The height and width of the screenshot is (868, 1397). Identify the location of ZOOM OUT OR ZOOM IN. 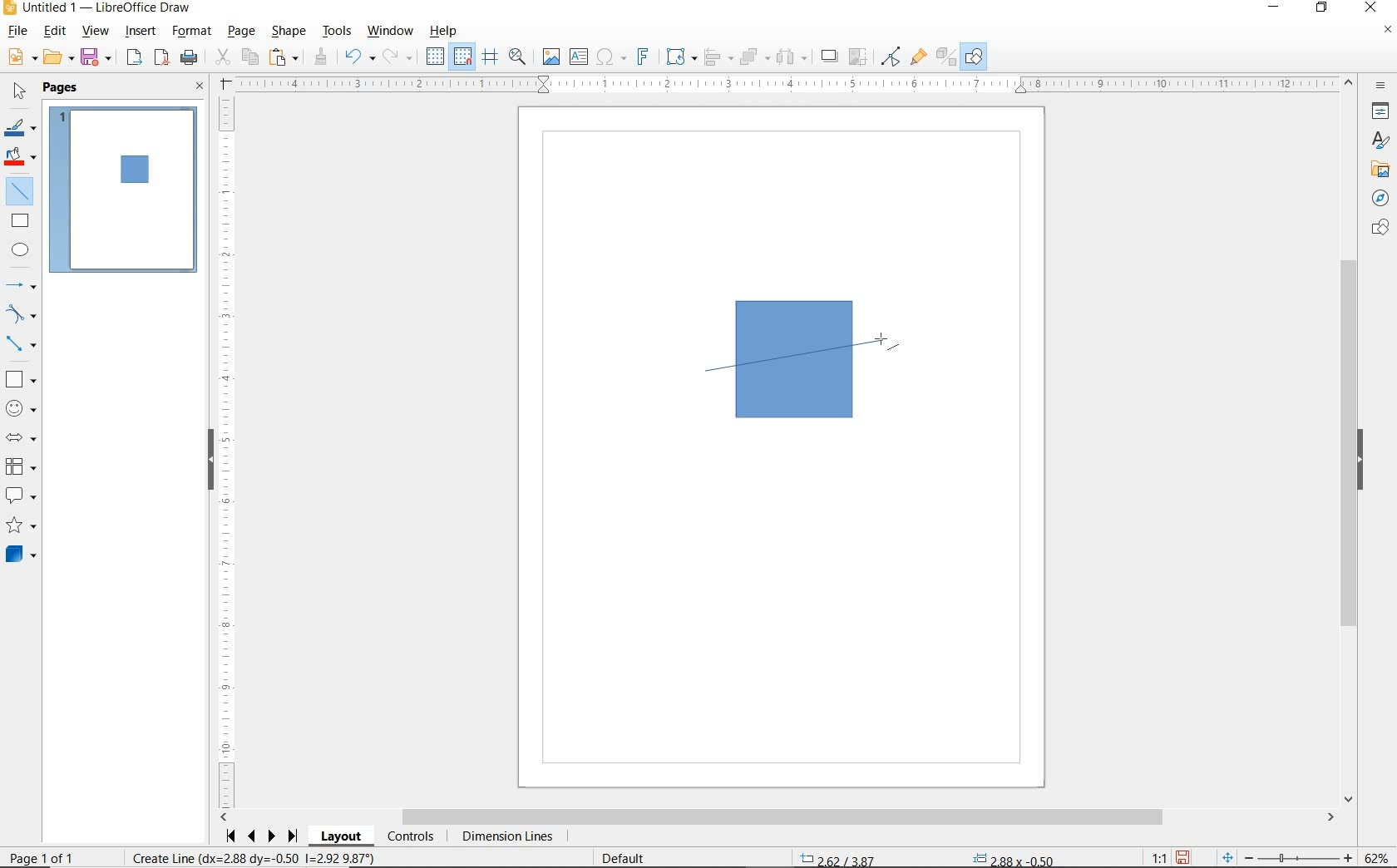
(1288, 855).